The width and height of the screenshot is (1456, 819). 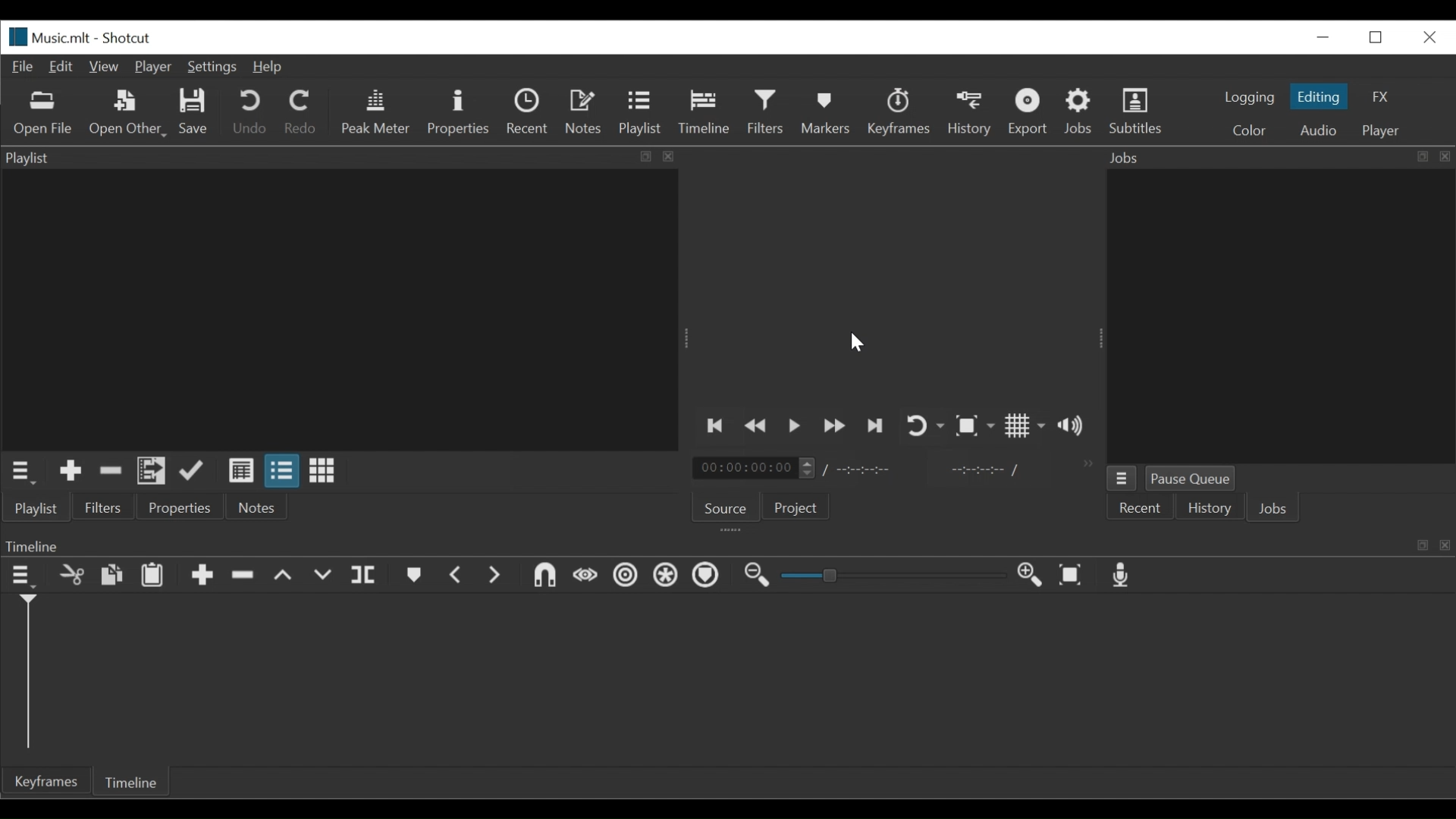 What do you see at coordinates (1122, 477) in the screenshot?
I see `Jobs menu` at bounding box center [1122, 477].